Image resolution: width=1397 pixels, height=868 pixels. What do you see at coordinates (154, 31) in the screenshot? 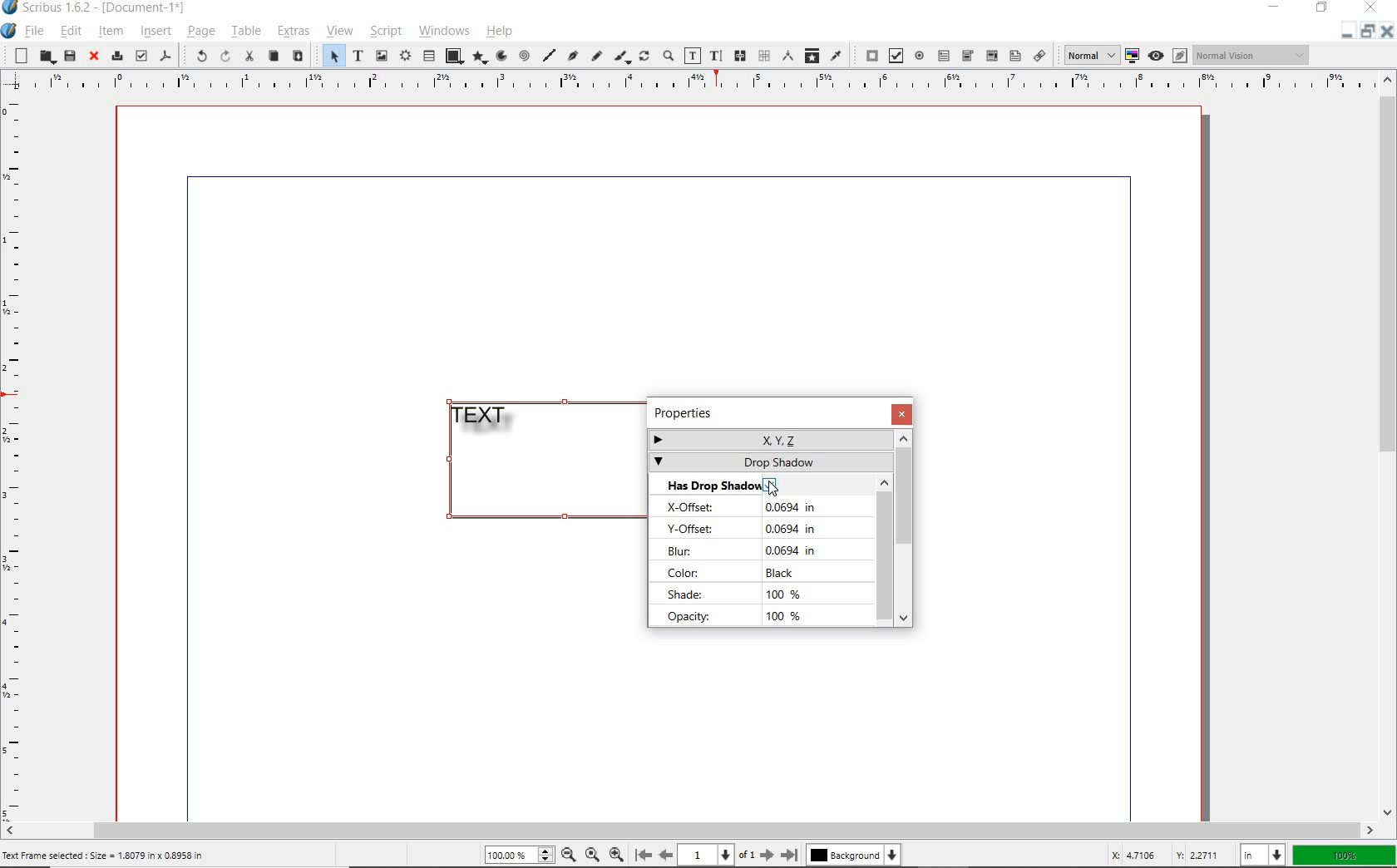
I see `insert` at bounding box center [154, 31].